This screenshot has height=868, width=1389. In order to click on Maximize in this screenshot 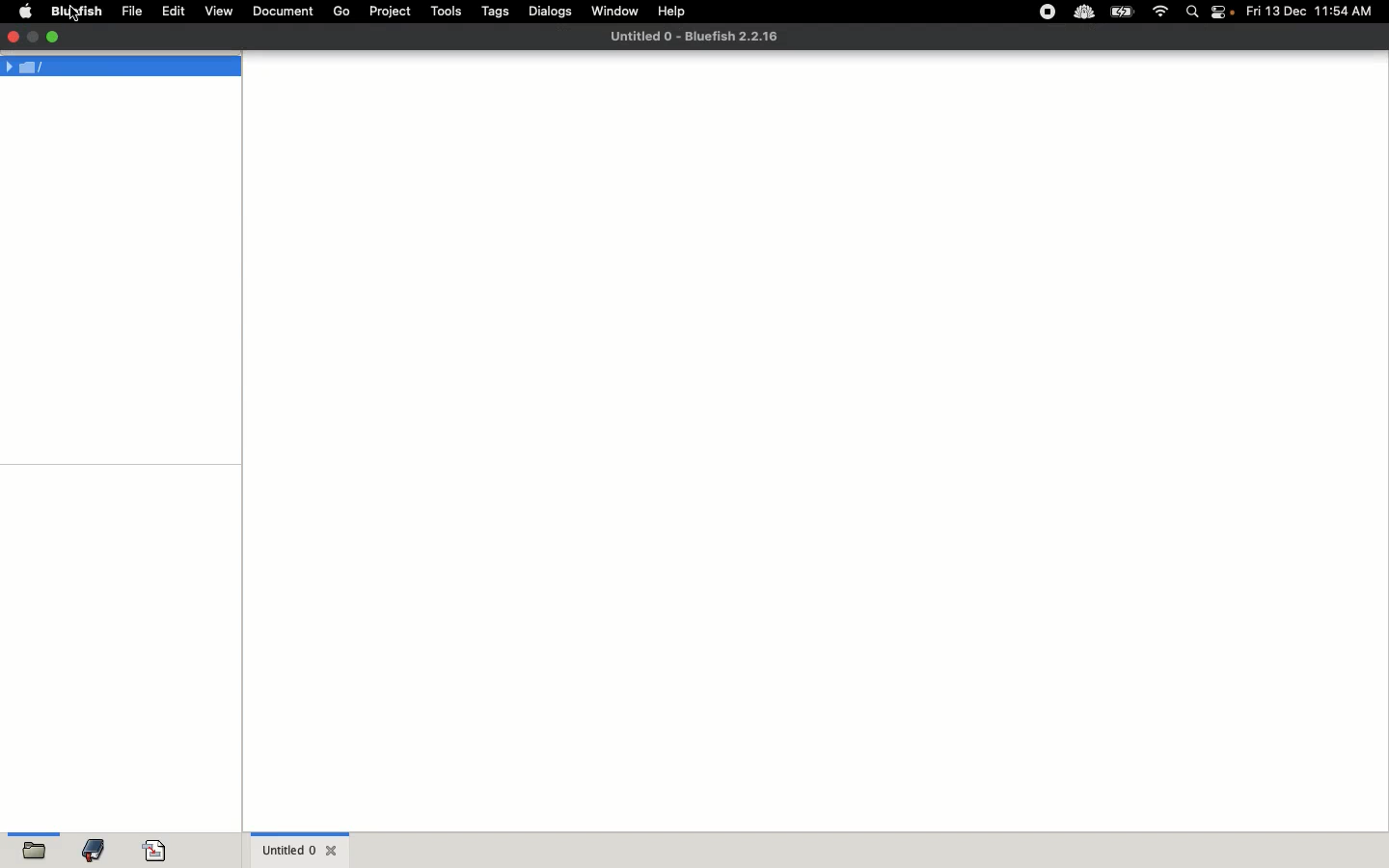, I will do `click(56, 39)`.